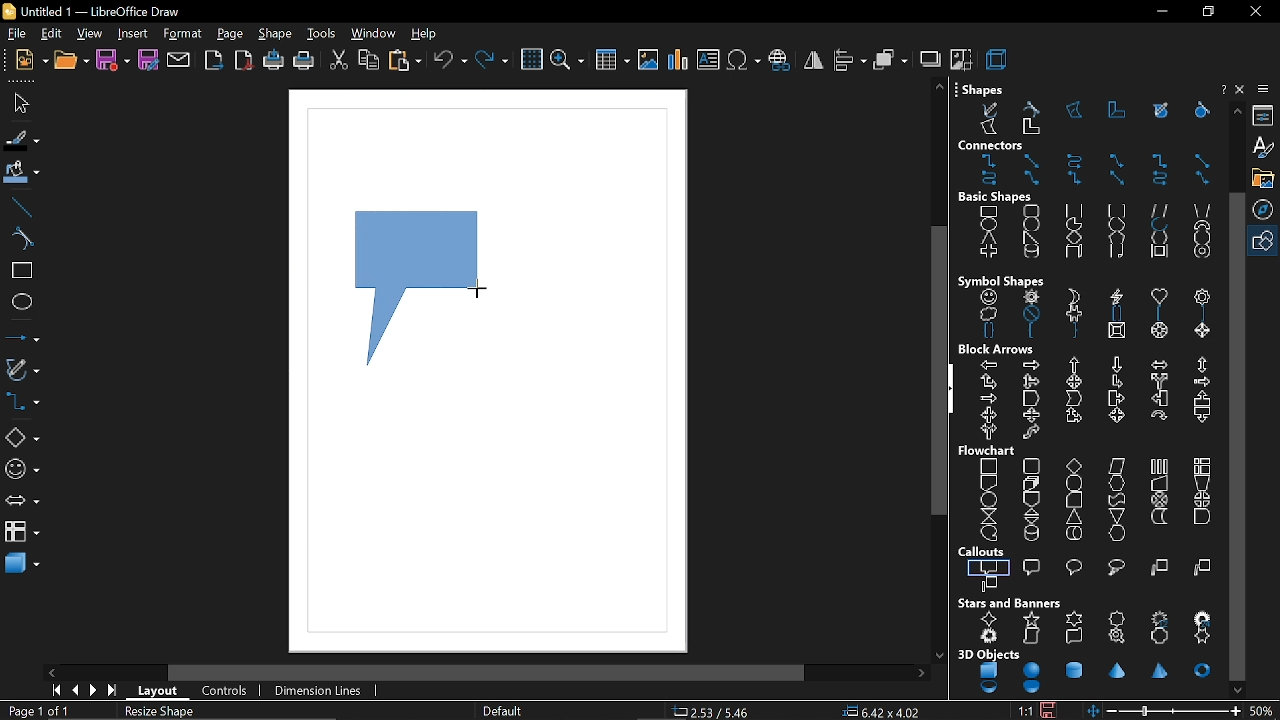  What do you see at coordinates (989, 298) in the screenshot?
I see `smiley face` at bounding box center [989, 298].